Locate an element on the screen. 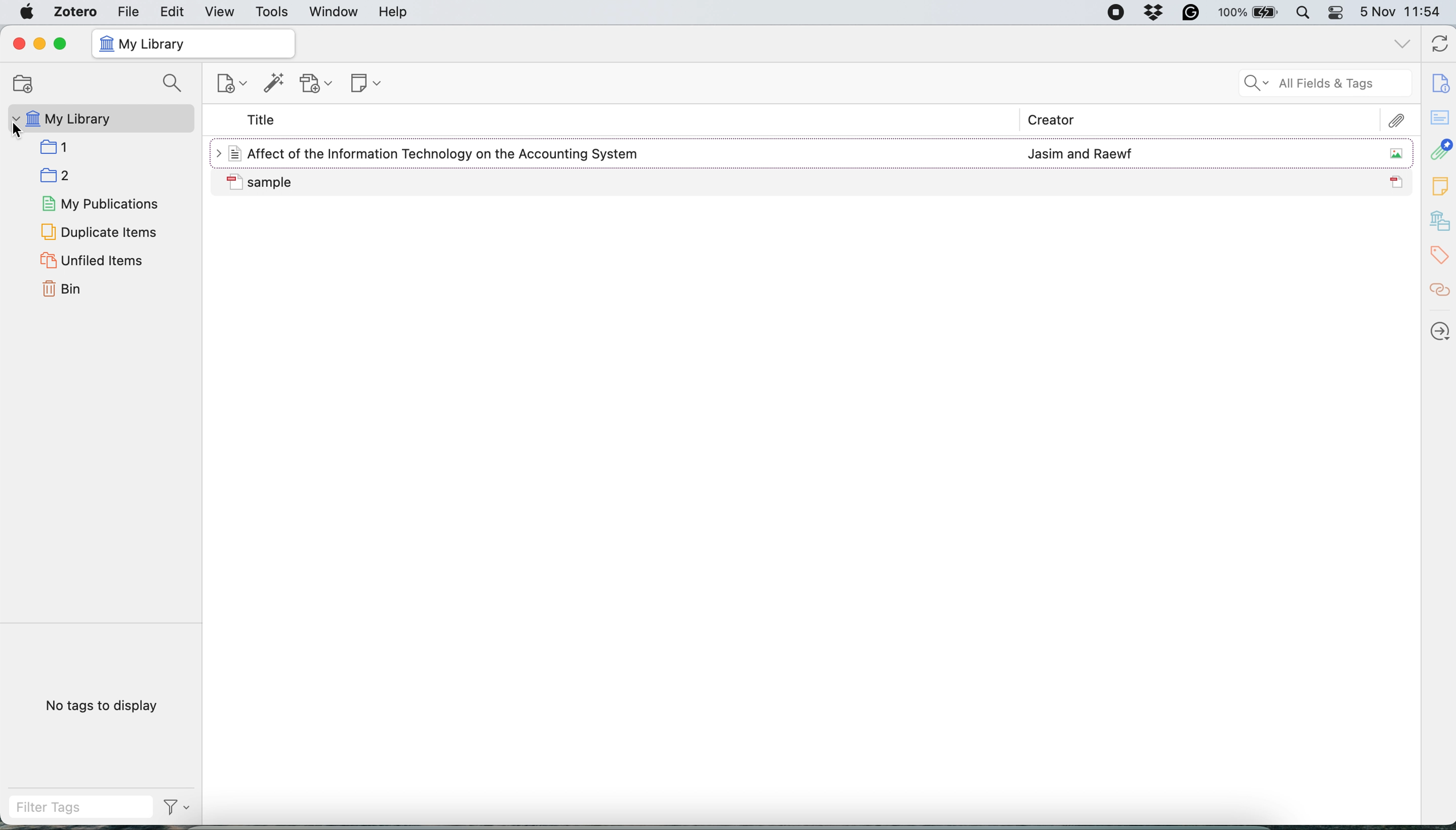  tags is located at coordinates (1437, 257).